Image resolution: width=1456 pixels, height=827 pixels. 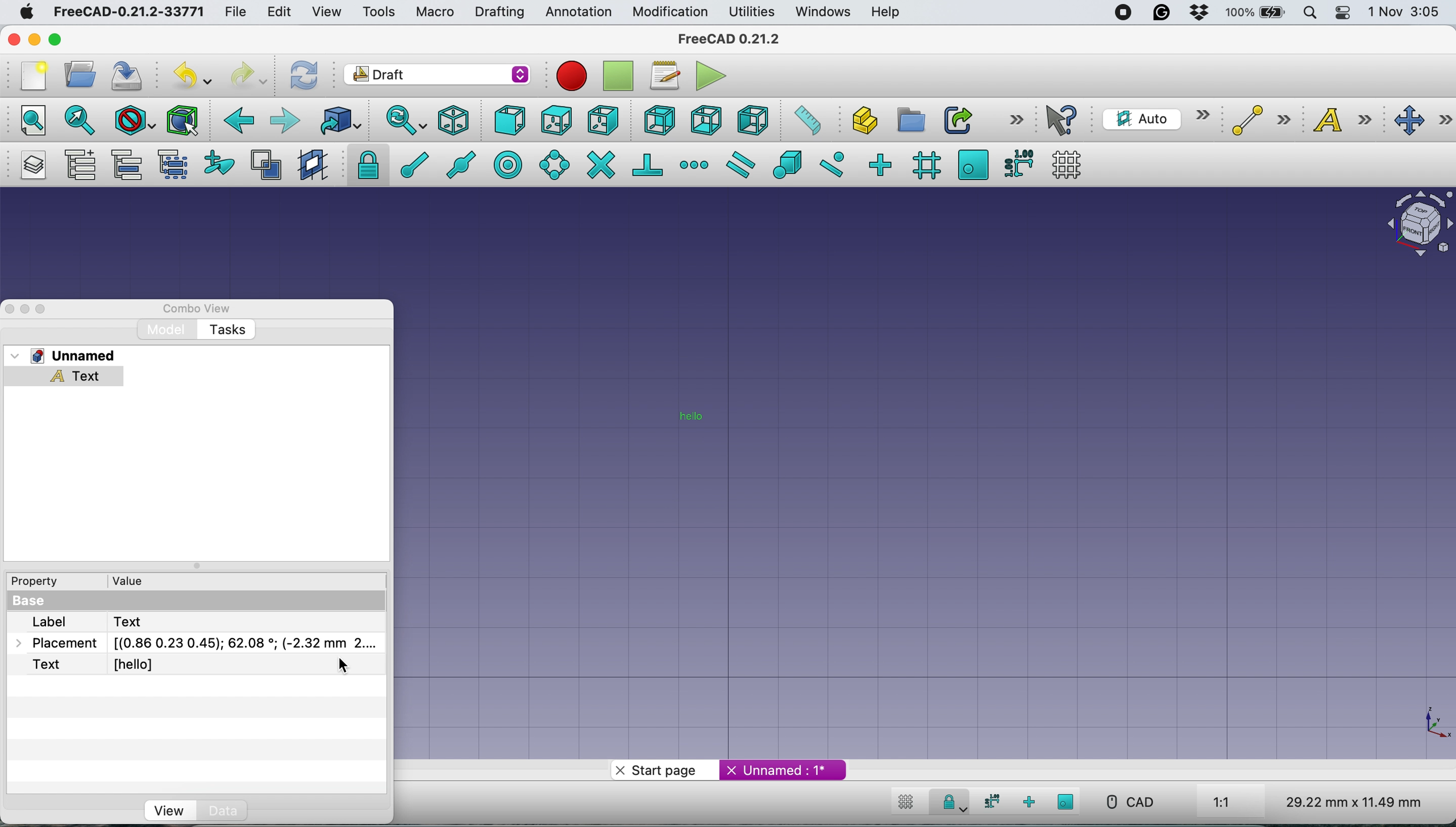 I want to click on measure distance, so click(x=803, y=120).